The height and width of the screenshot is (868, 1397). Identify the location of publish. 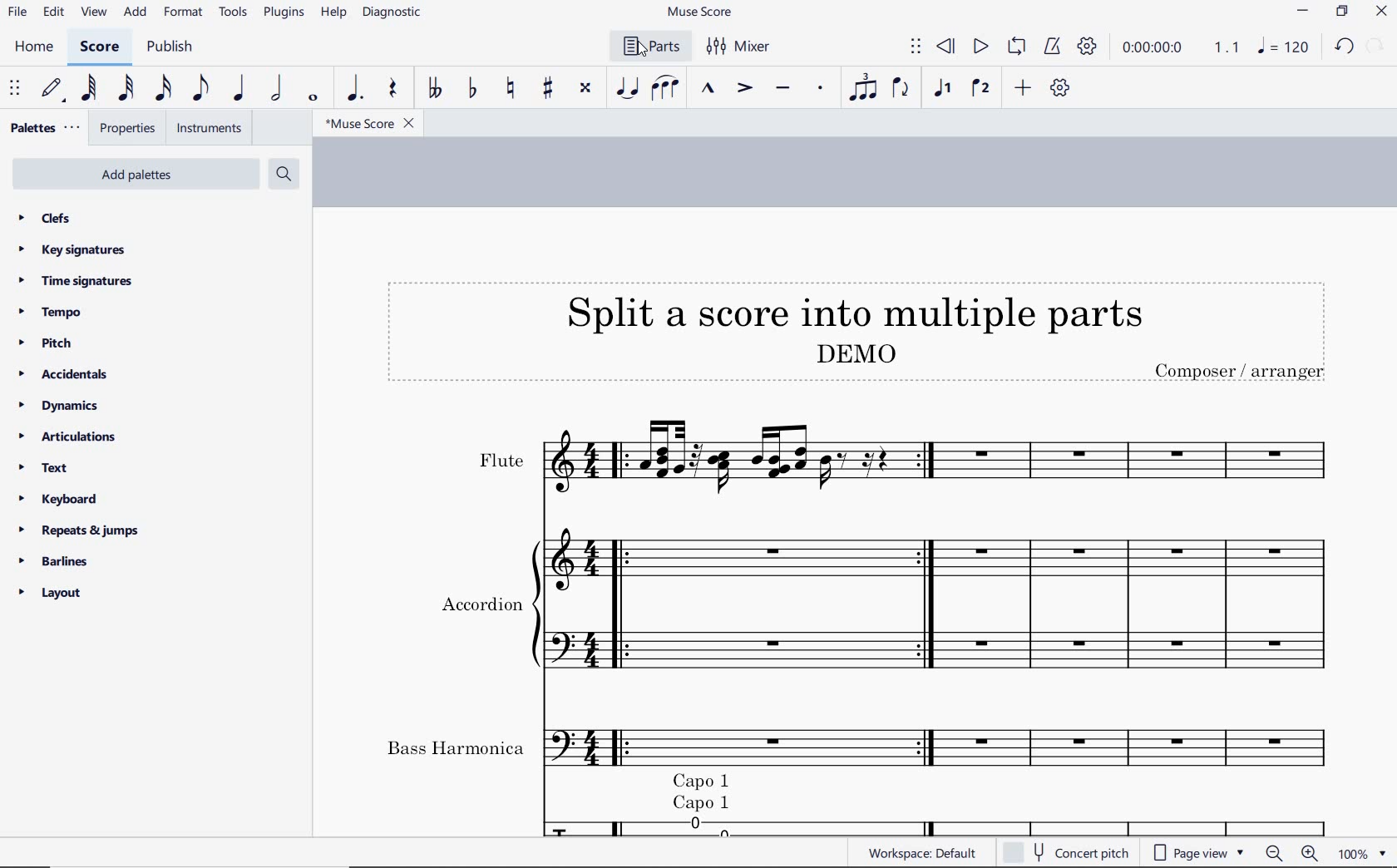
(176, 47).